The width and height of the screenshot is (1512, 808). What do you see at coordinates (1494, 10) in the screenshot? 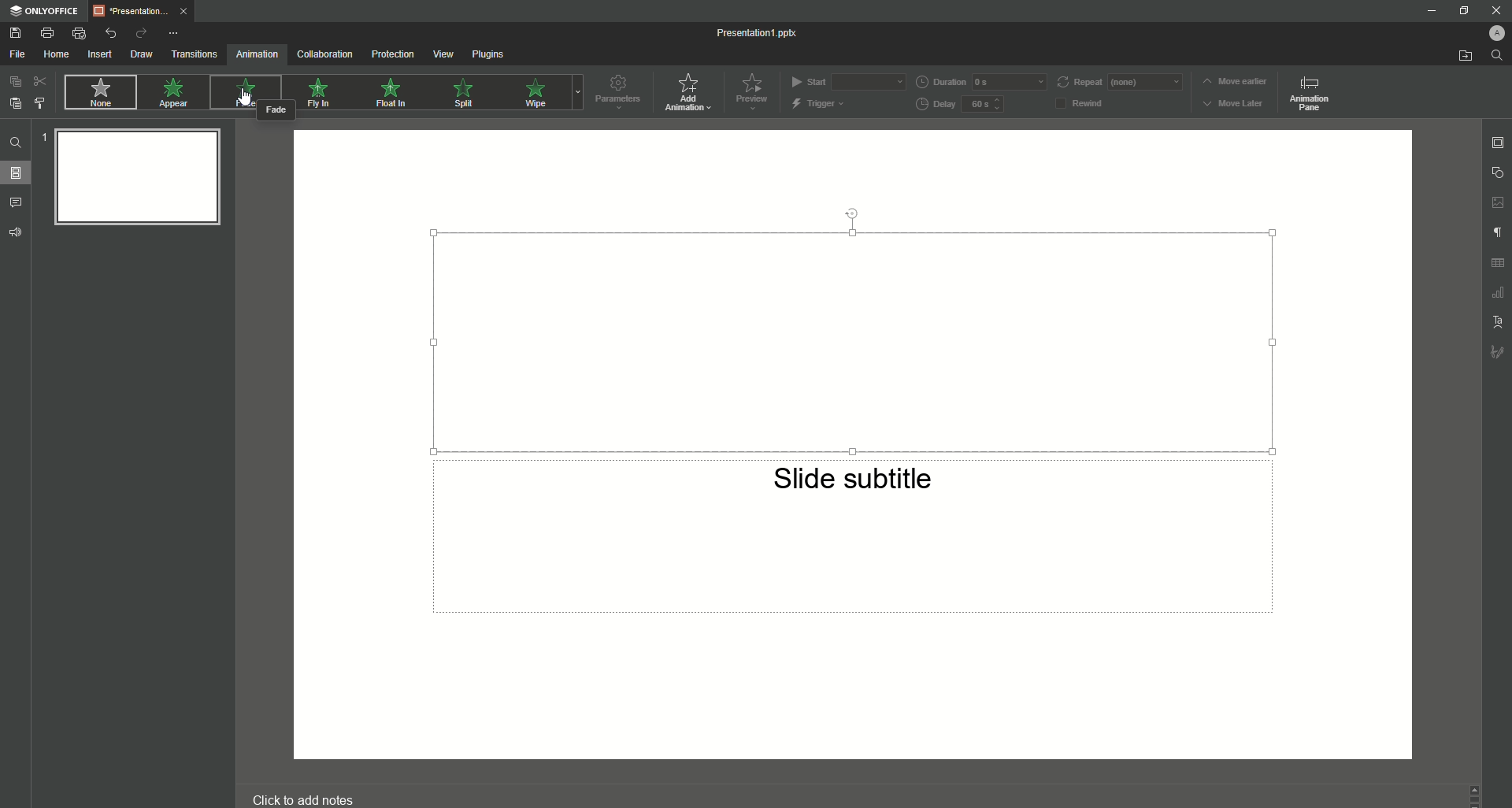
I see `Close` at bounding box center [1494, 10].